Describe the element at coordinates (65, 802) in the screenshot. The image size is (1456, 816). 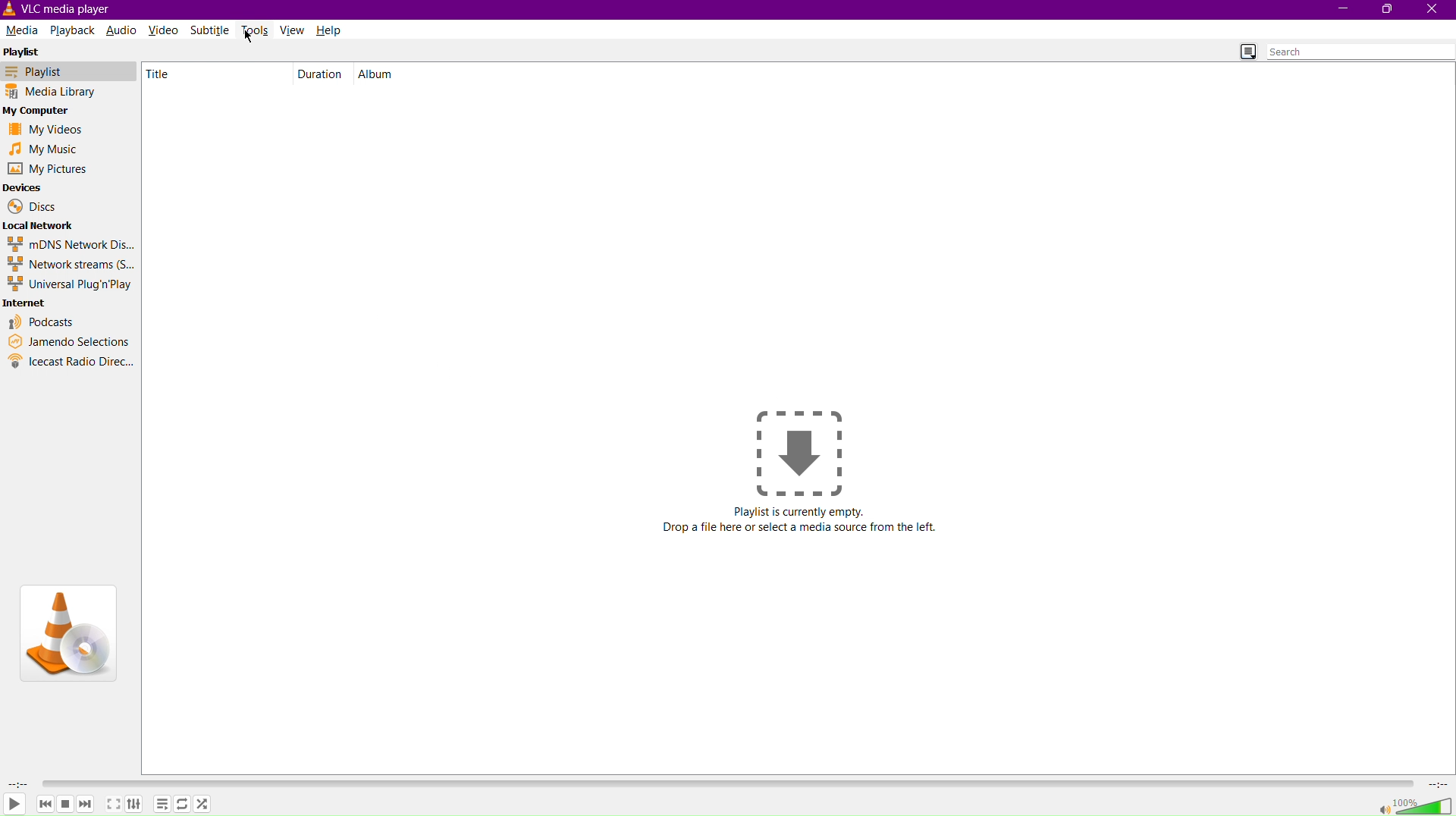
I see `Pause` at that location.